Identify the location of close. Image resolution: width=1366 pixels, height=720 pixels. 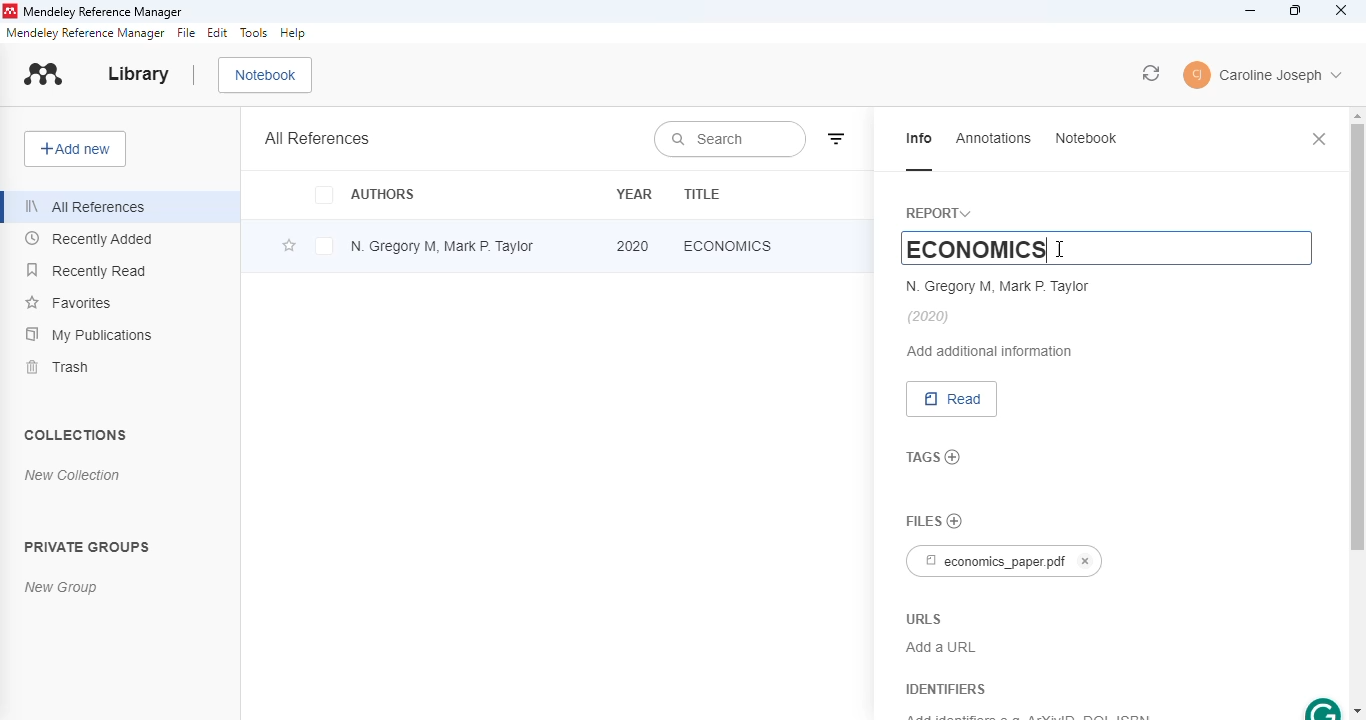
(1341, 10).